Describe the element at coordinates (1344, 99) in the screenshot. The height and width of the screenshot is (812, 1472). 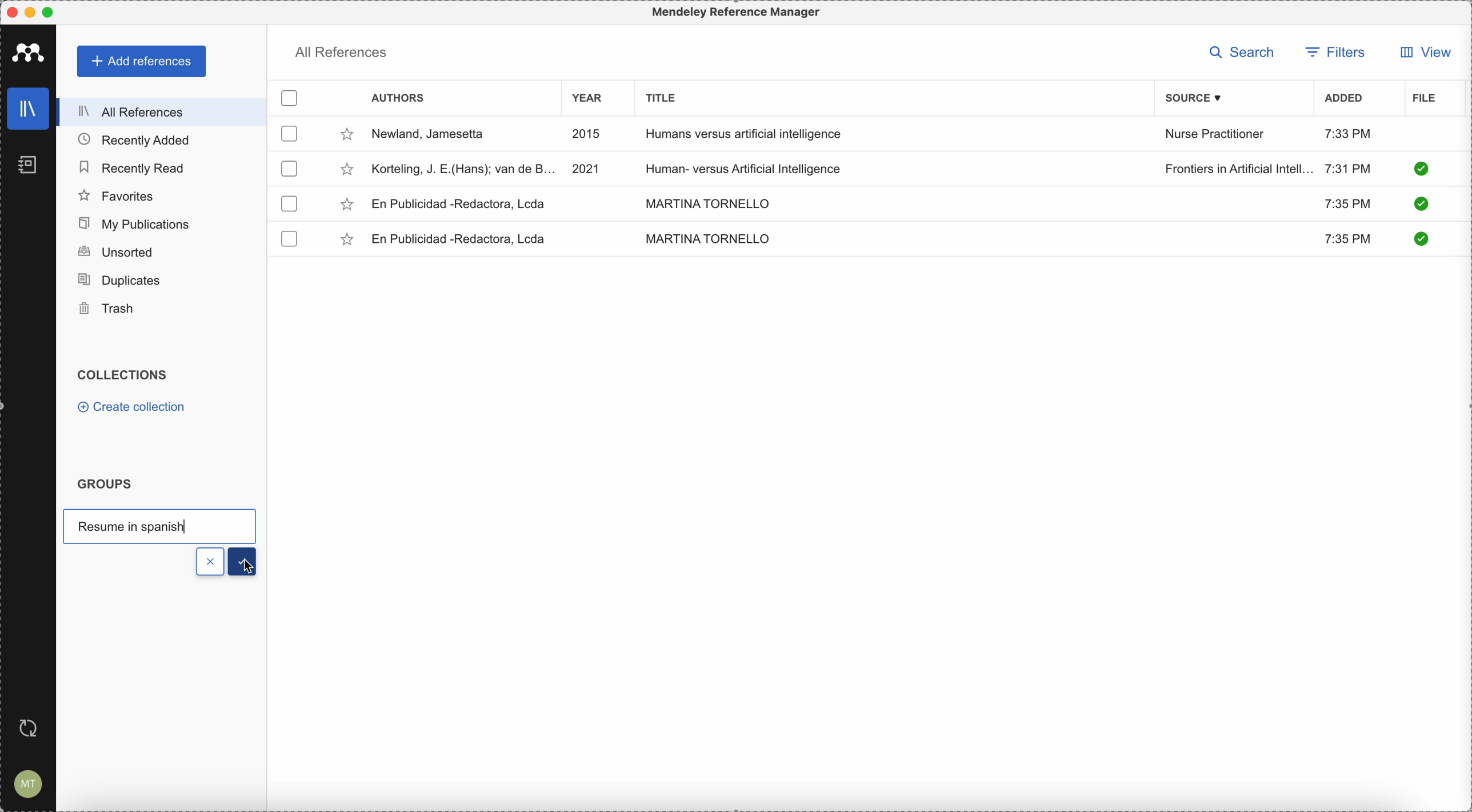
I see `added` at that location.